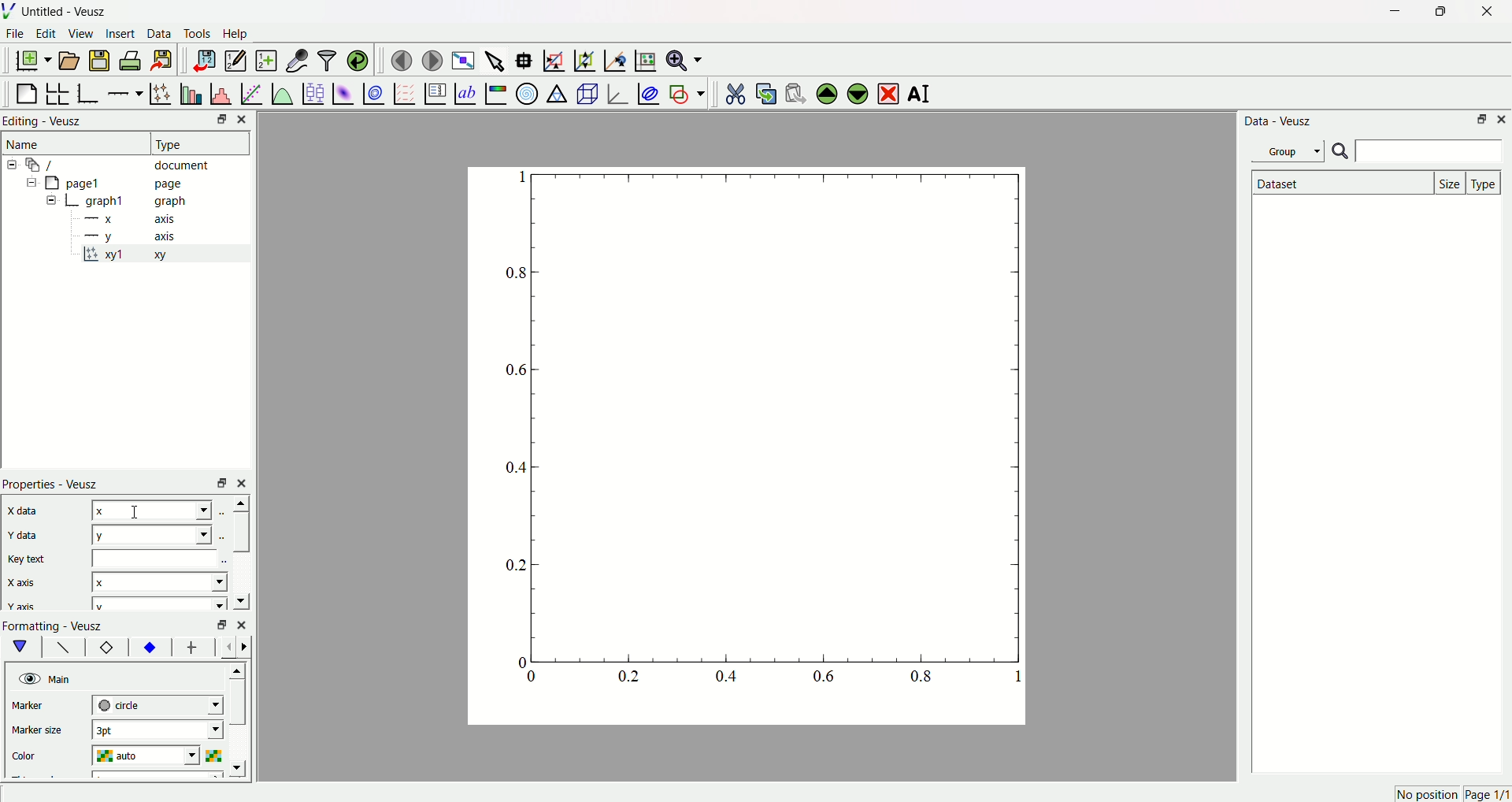 Image resolution: width=1512 pixels, height=802 pixels. Describe the element at coordinates (240, 34) in the screenshot. I see `Help` at that location.